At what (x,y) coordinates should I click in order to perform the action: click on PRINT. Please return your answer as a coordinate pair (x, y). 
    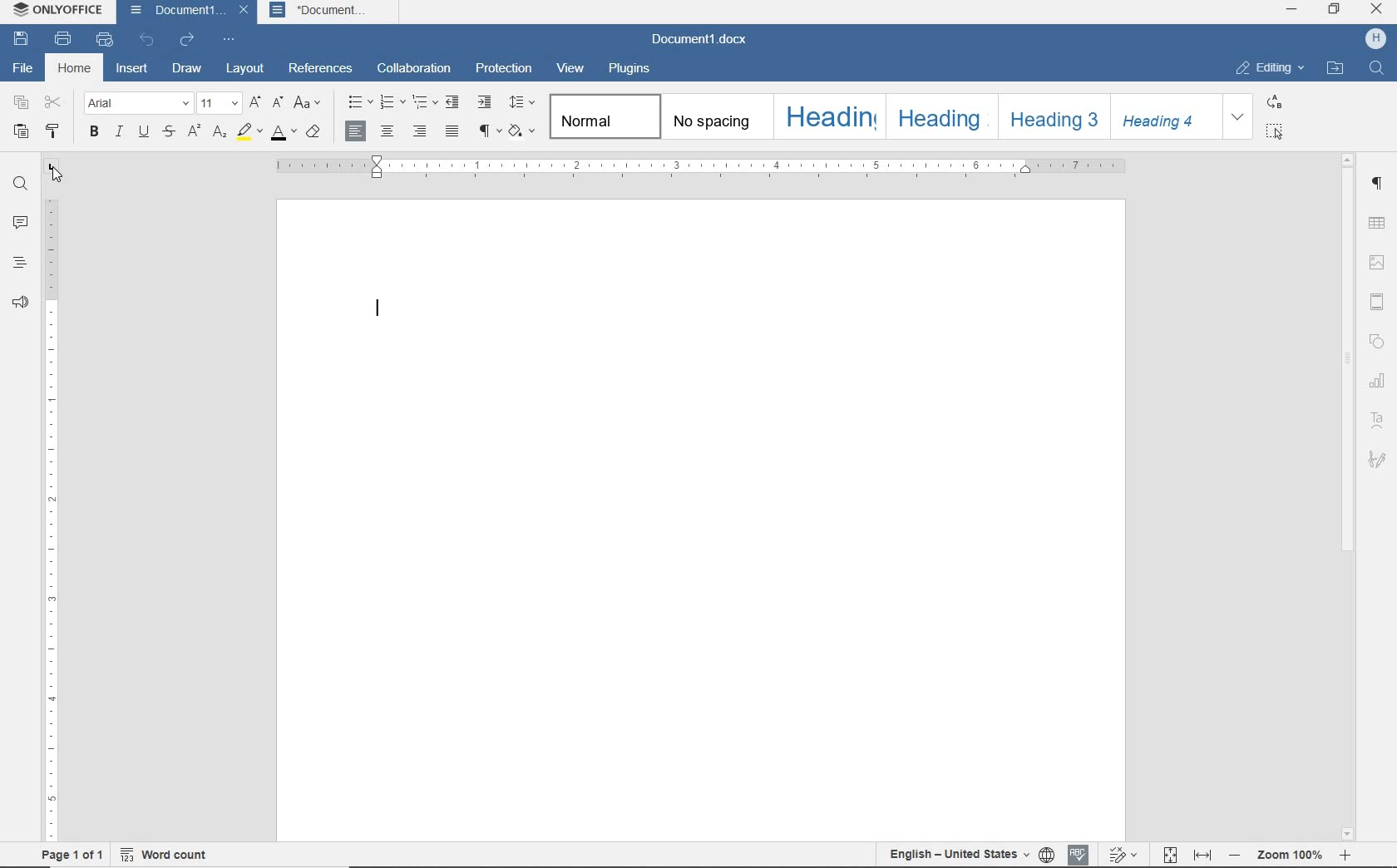
    Looking at the image, I should click on (62, 38).